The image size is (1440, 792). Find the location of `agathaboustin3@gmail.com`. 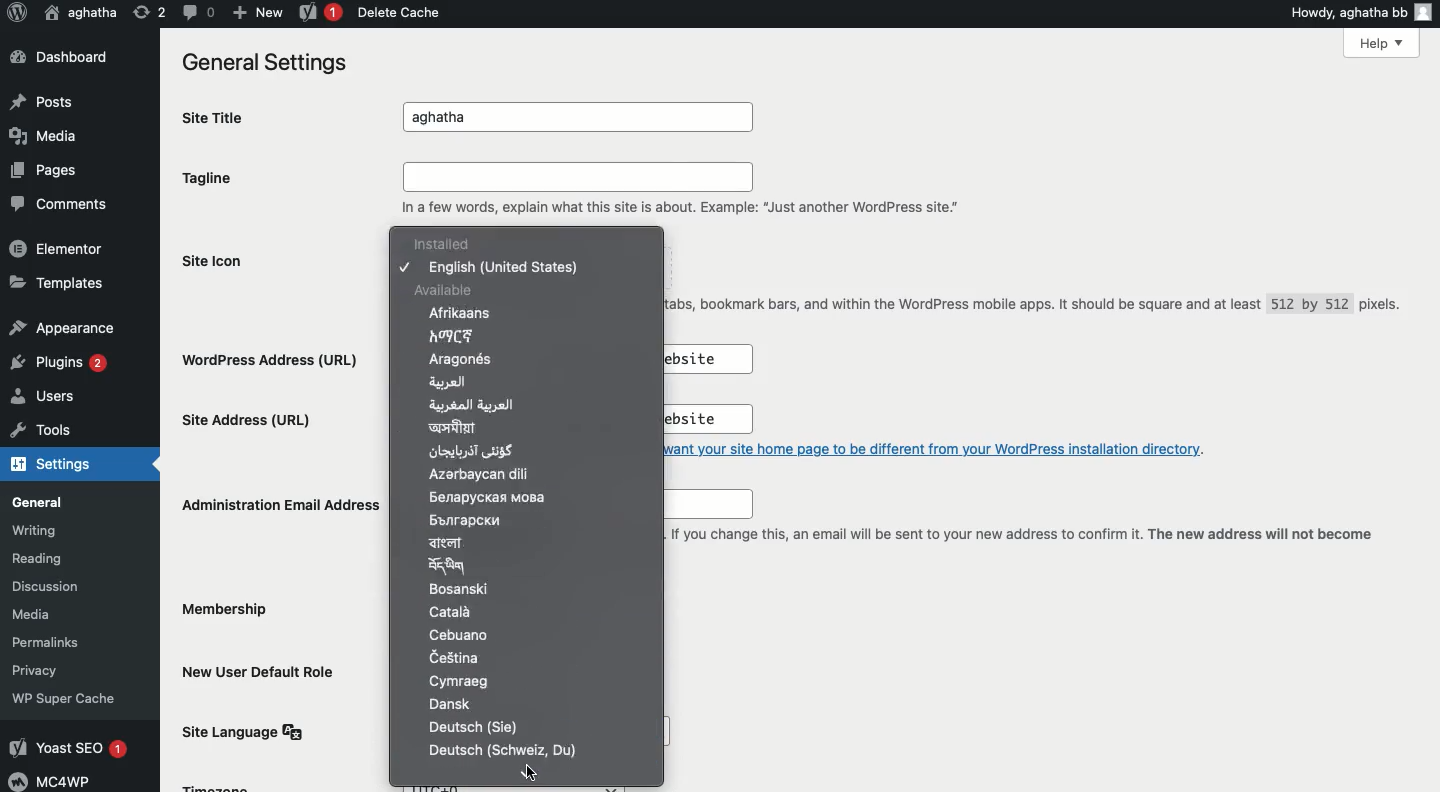

agathaboustin3@gmail.com is located at coordinates (702, 505).